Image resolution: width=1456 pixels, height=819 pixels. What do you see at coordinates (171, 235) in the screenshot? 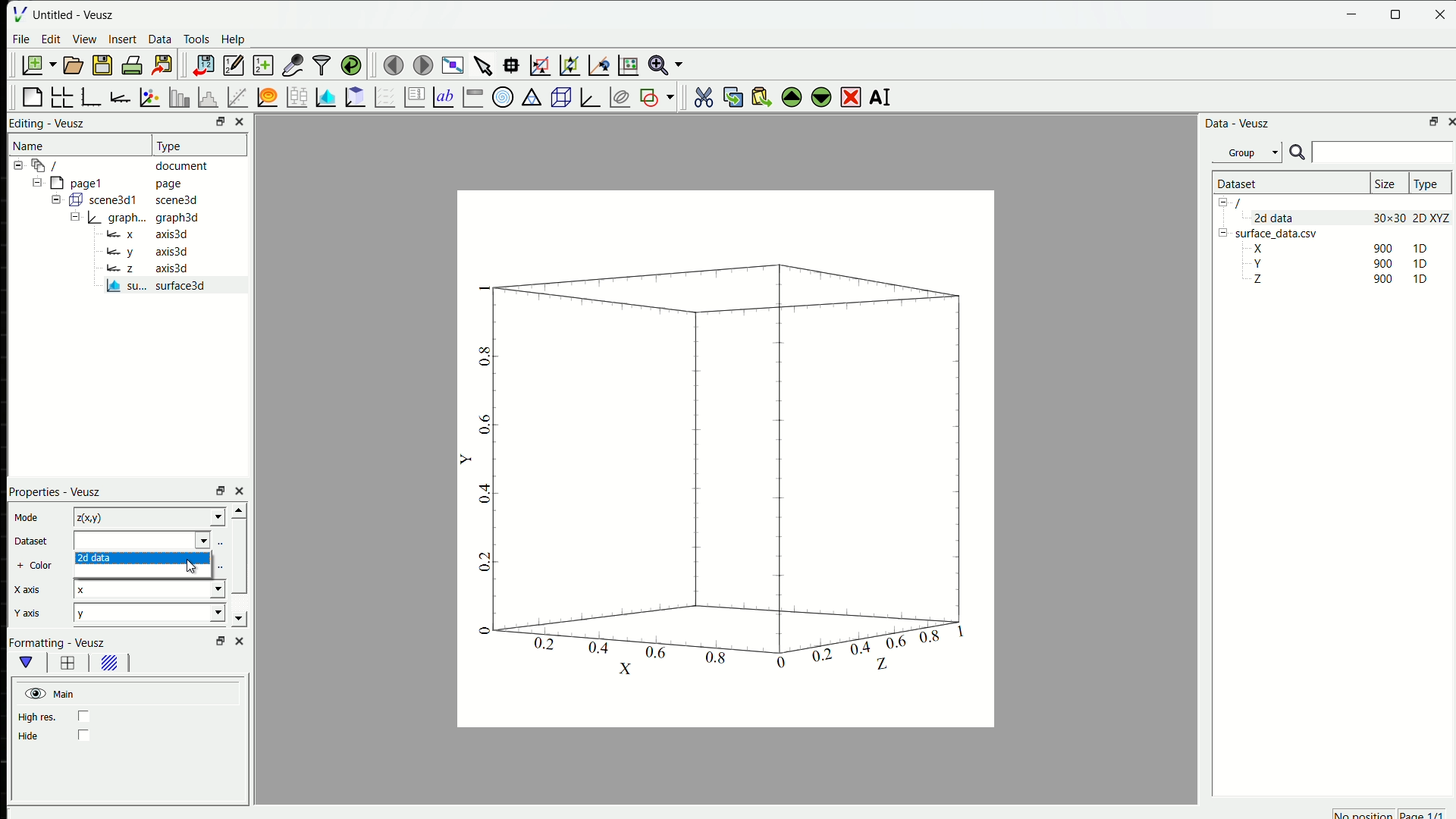
I see `axis3d` at bounding box center [171, 235].